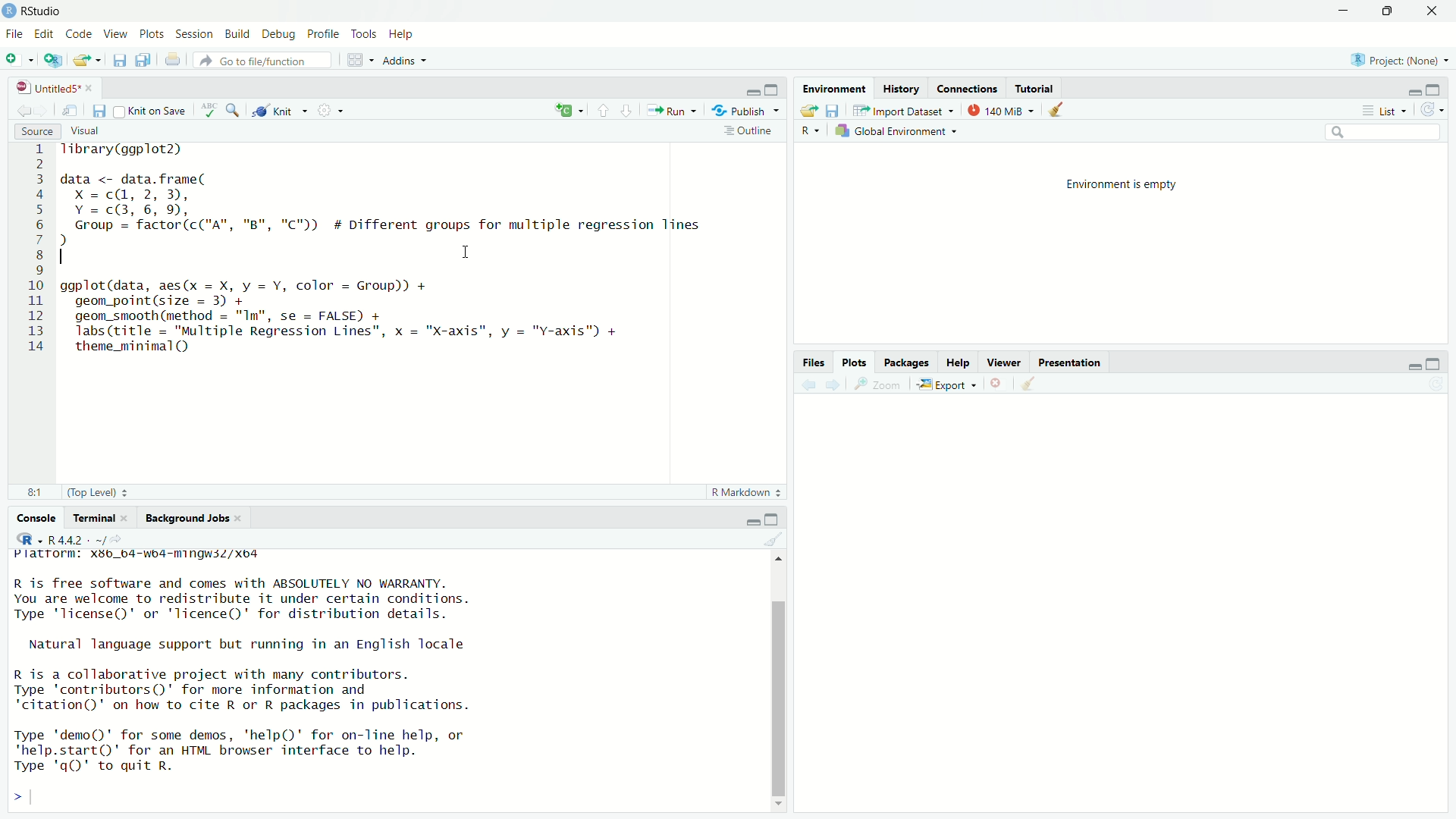 The width and height of the screenshot is (1456, 819). Describe the element at coordinates (775, 678) in the screenshot. I see `scroll bar` at that location.